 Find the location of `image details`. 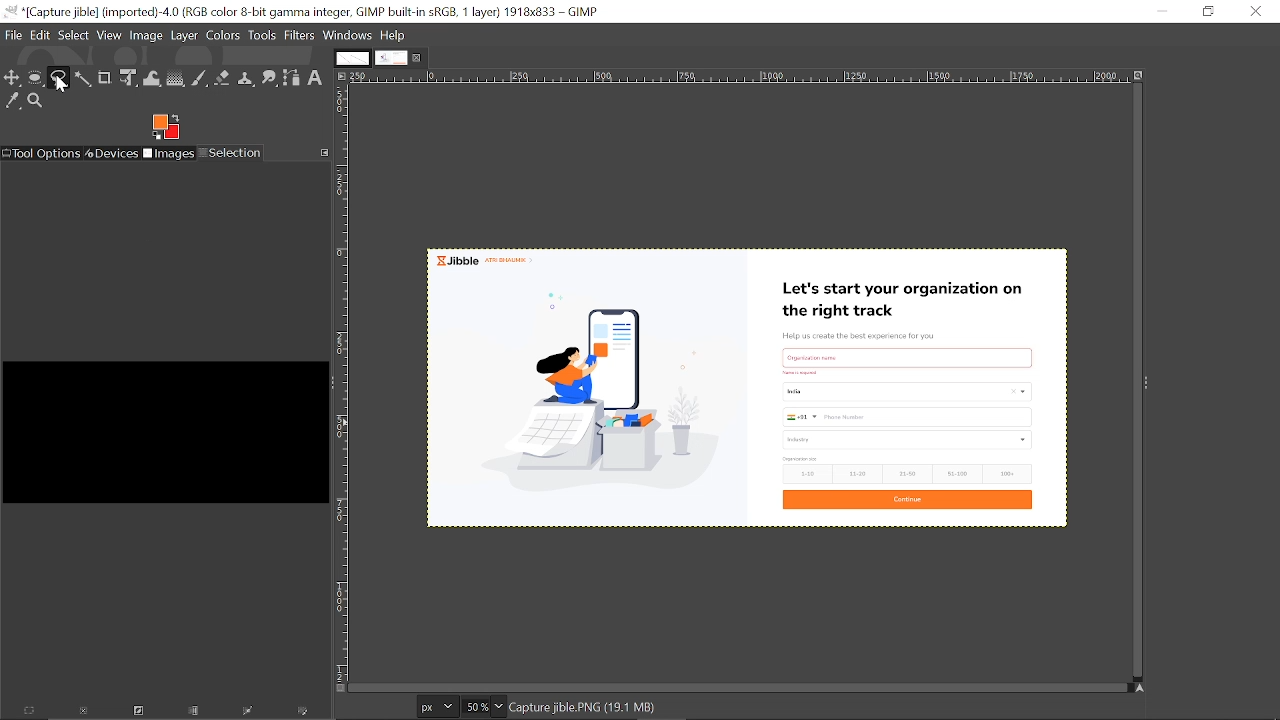

image details is located at coordinates (592, 708).